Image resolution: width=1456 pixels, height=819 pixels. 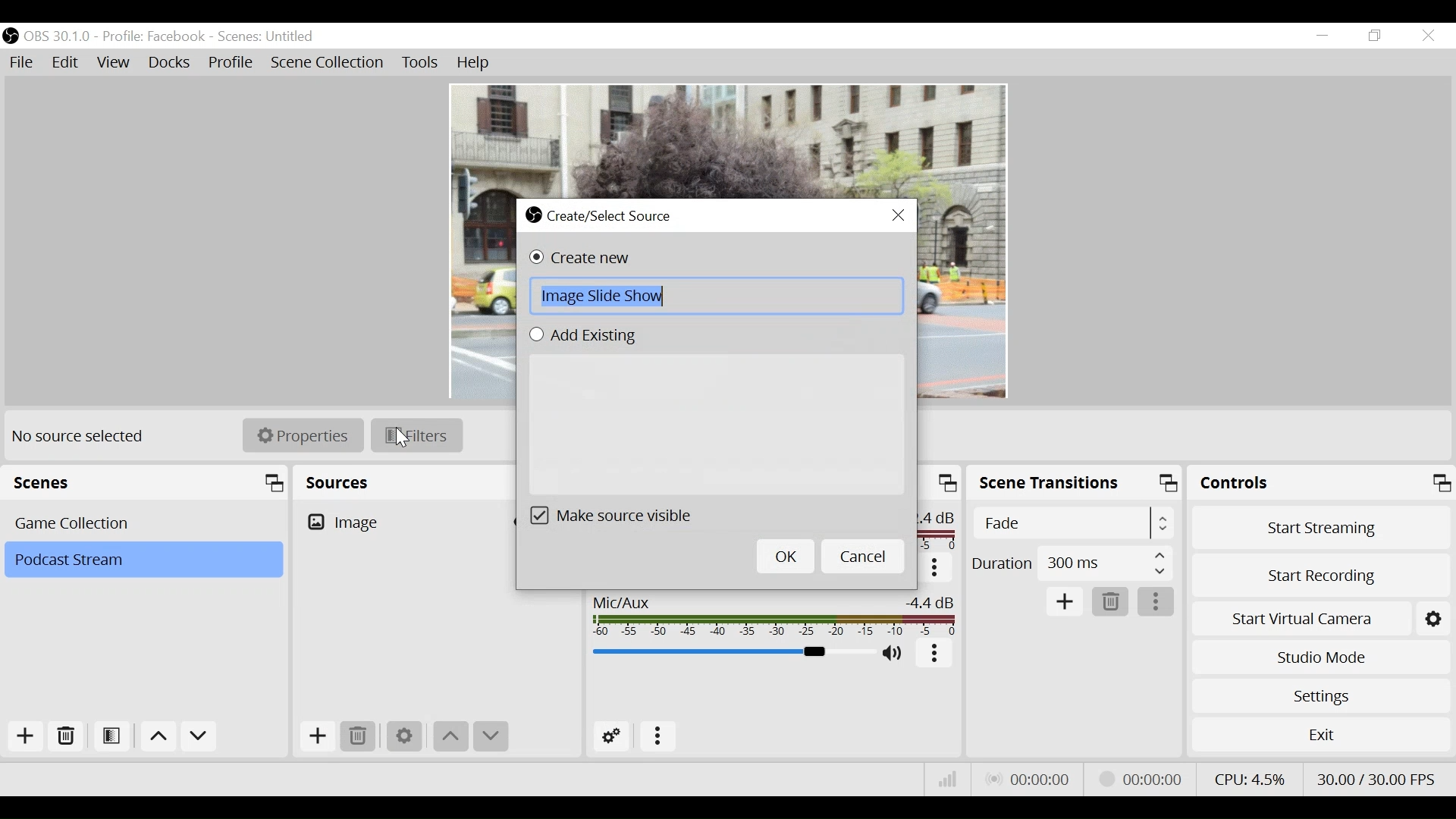 What do you see at coordinates (199, 739) in the screenshot?
I see `Move Down` at bounding box center [199, 739].